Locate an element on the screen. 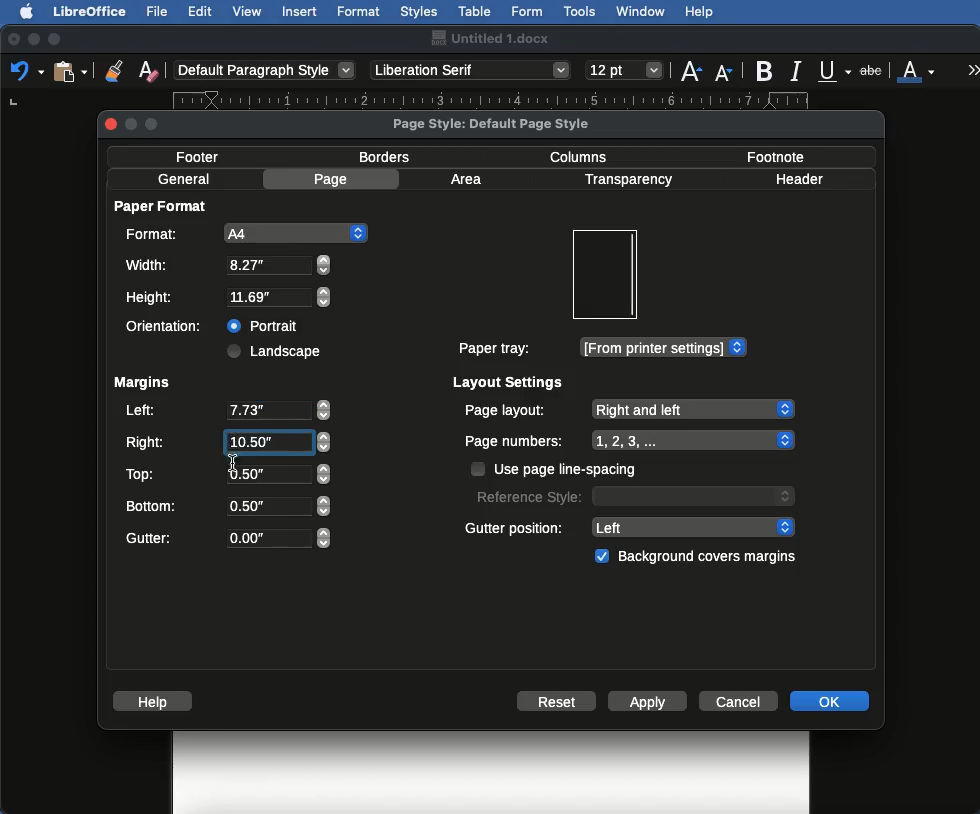 This screenshot has height=814, width=980. Maximize is located at coordinates (56, 39).